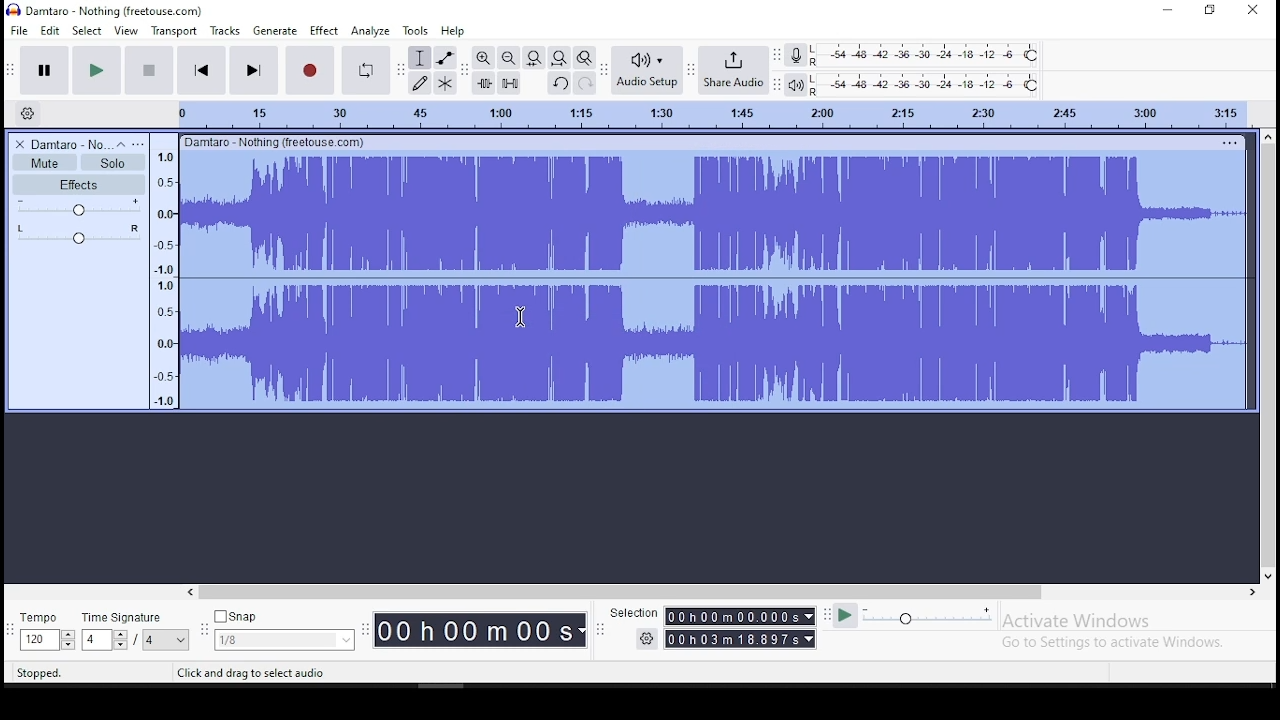 The width and height of the screenshot is (1280, 720). I want to click on playback meter, so click(794, 84).